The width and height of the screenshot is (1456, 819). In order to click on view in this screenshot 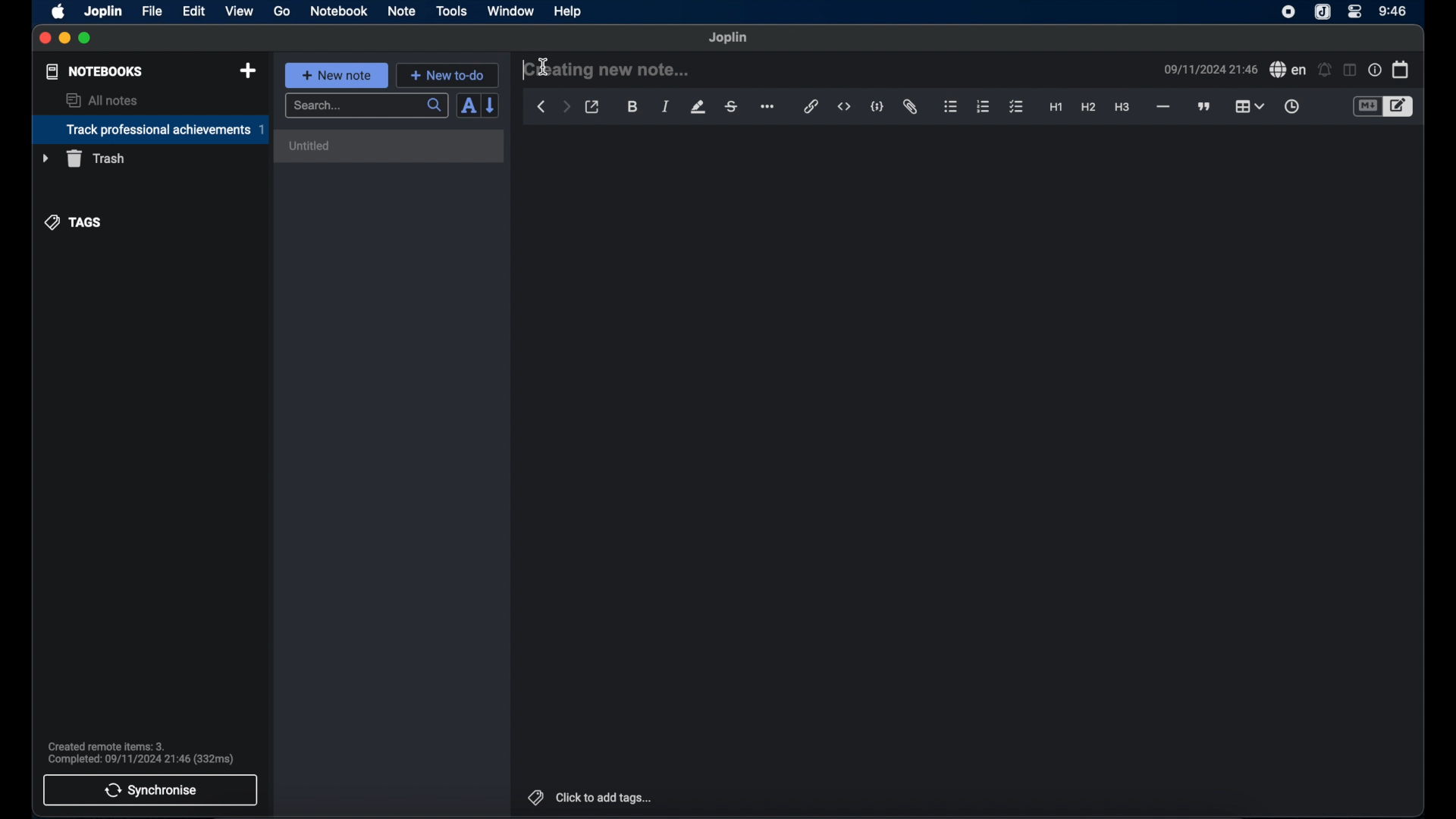, I will do `click(239, 11)`.